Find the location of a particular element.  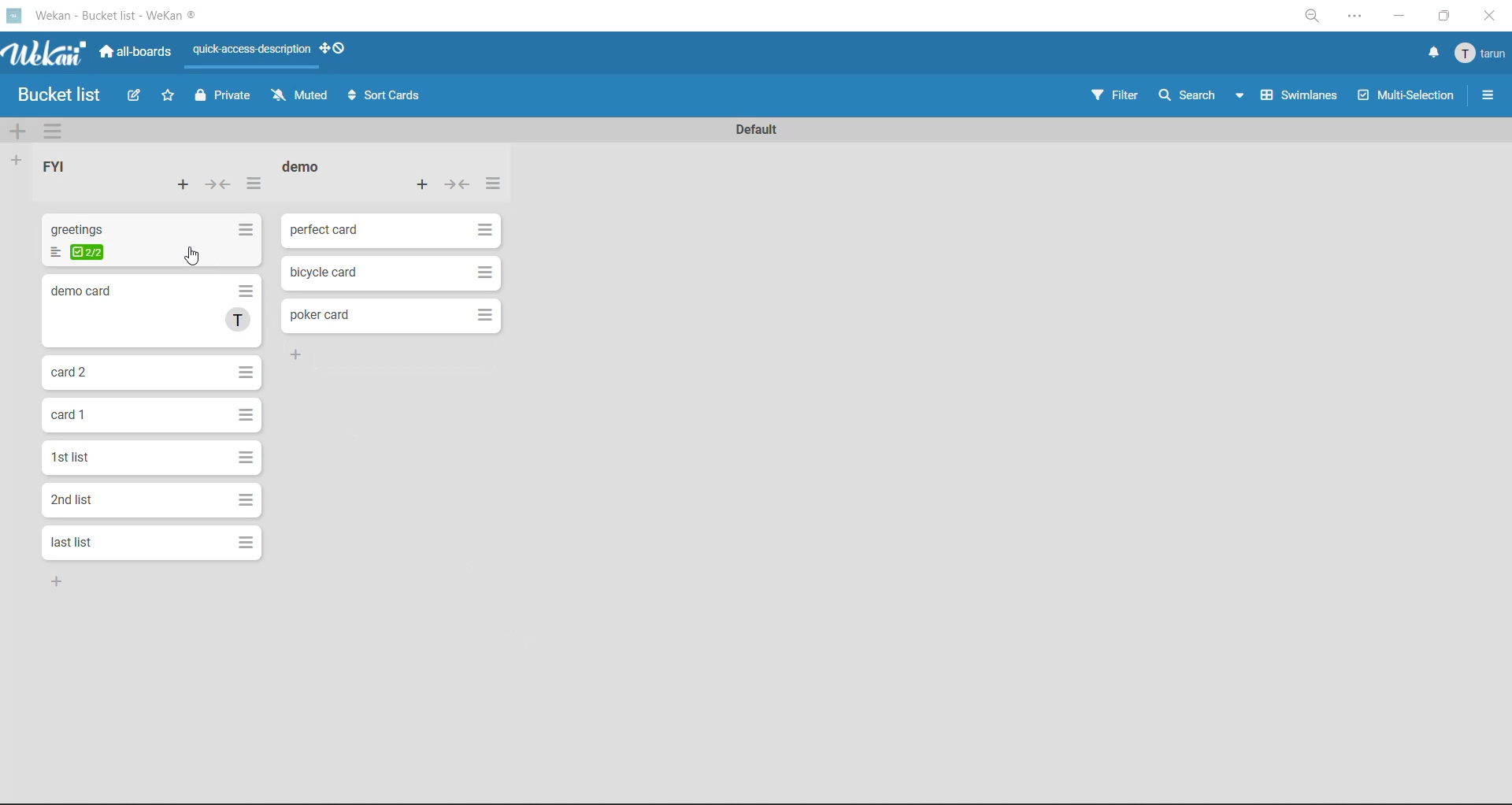

app logo is located at coordinates (47, 57).